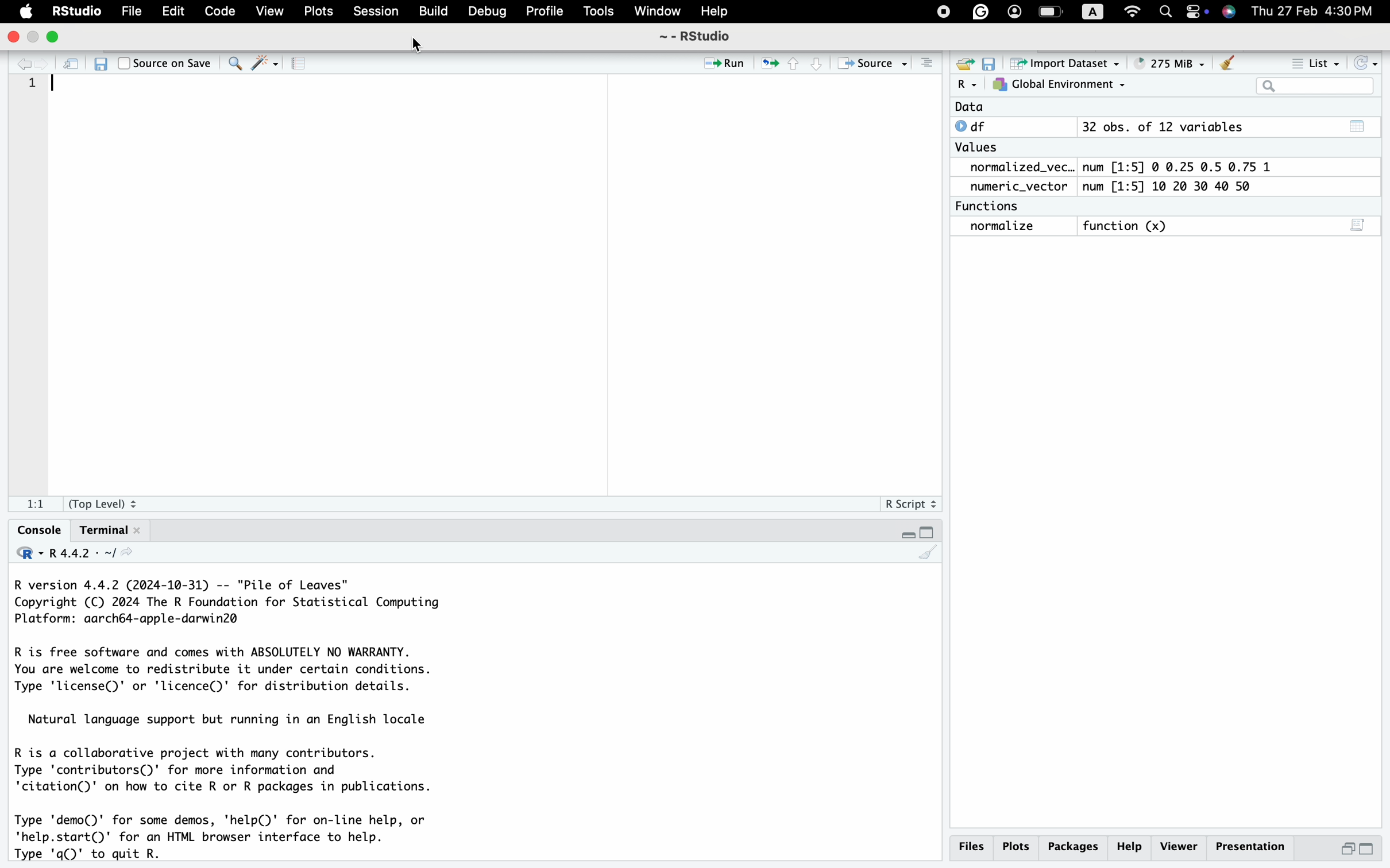 The height and width of the screenshot is (868, 1390). Describe the element at coordinates (1198, 11) in the screenshot. I see `toggle` at that location.